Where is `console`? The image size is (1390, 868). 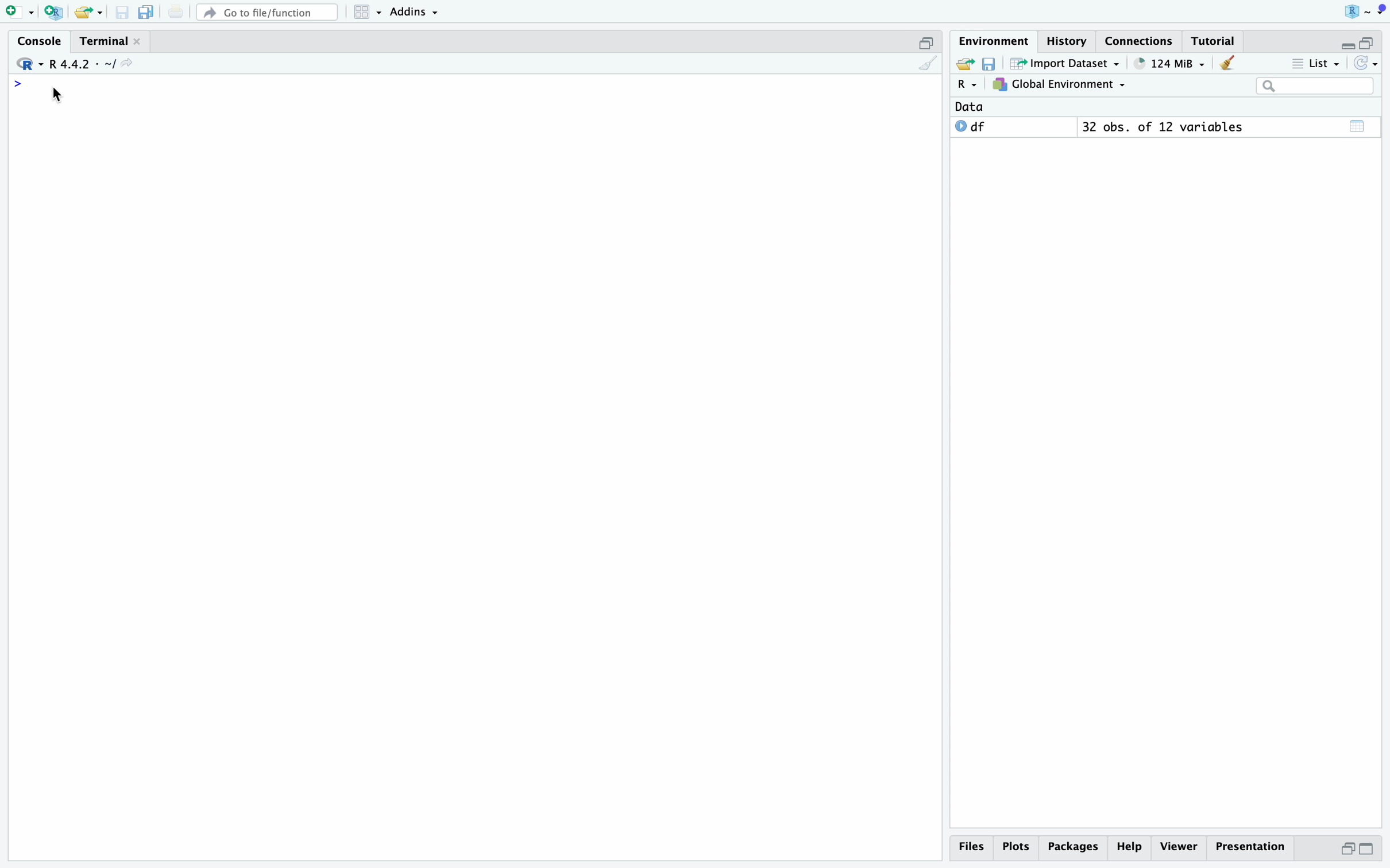 console is located at coordinates (41, 41).